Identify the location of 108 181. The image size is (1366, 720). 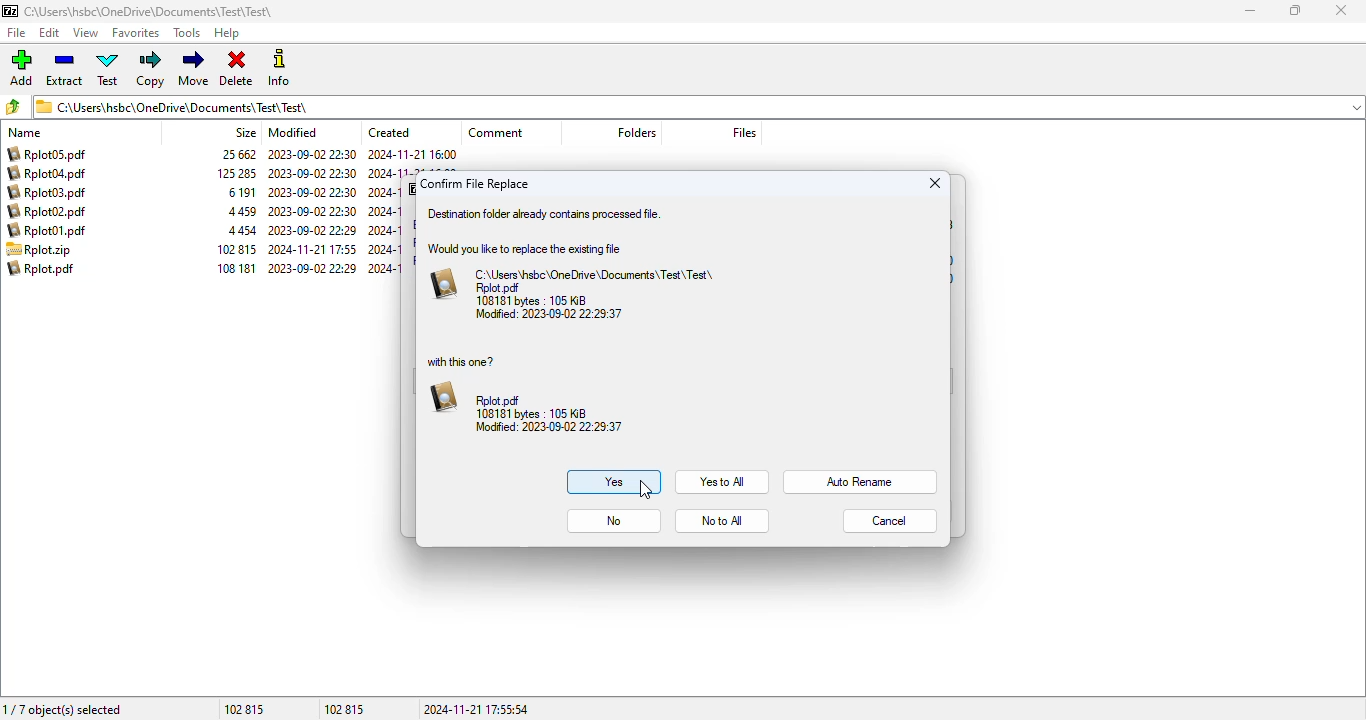
(233, 268).